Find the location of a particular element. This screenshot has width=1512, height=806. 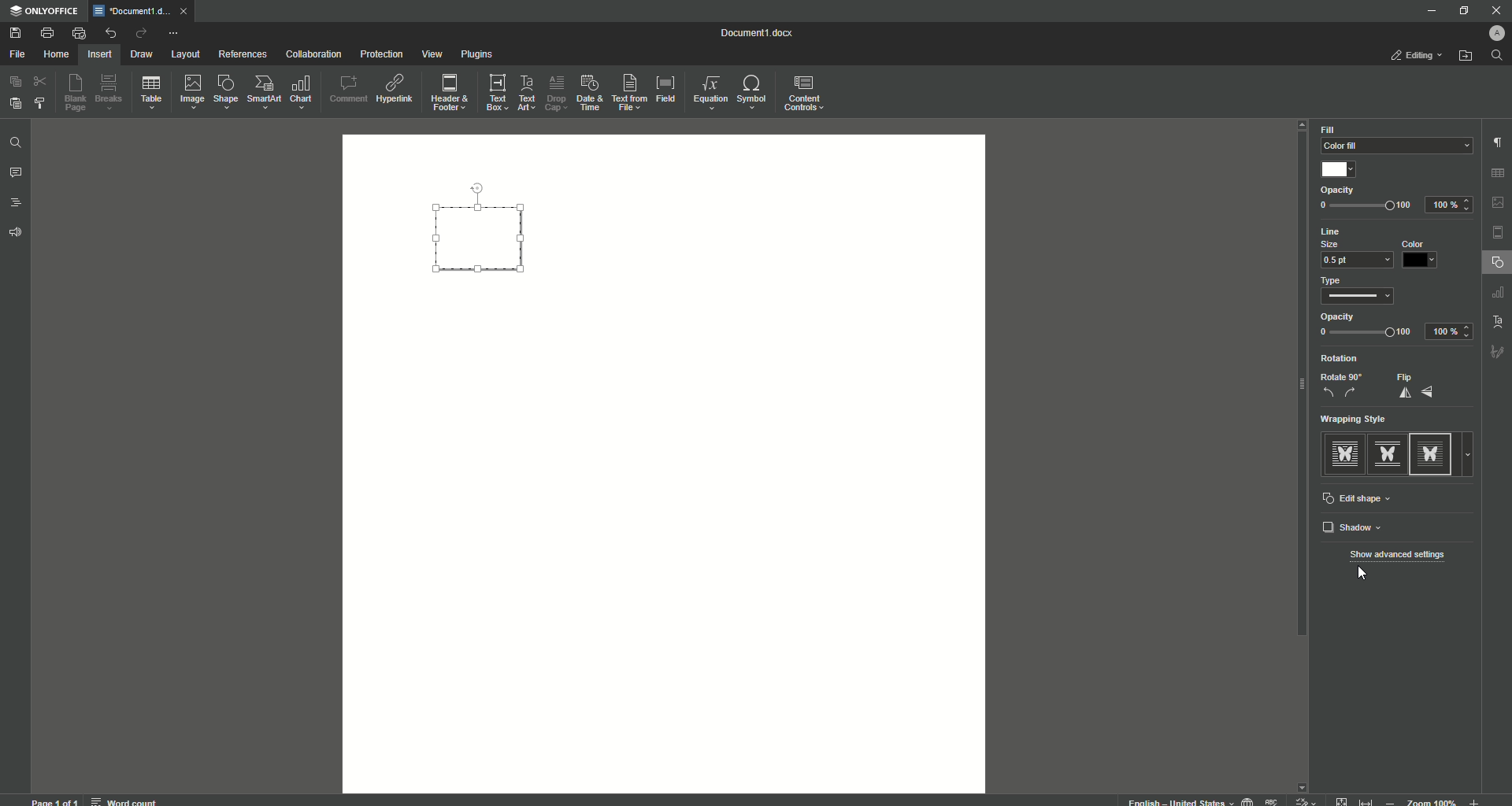

track changes is located at coordinates (1306, 800).